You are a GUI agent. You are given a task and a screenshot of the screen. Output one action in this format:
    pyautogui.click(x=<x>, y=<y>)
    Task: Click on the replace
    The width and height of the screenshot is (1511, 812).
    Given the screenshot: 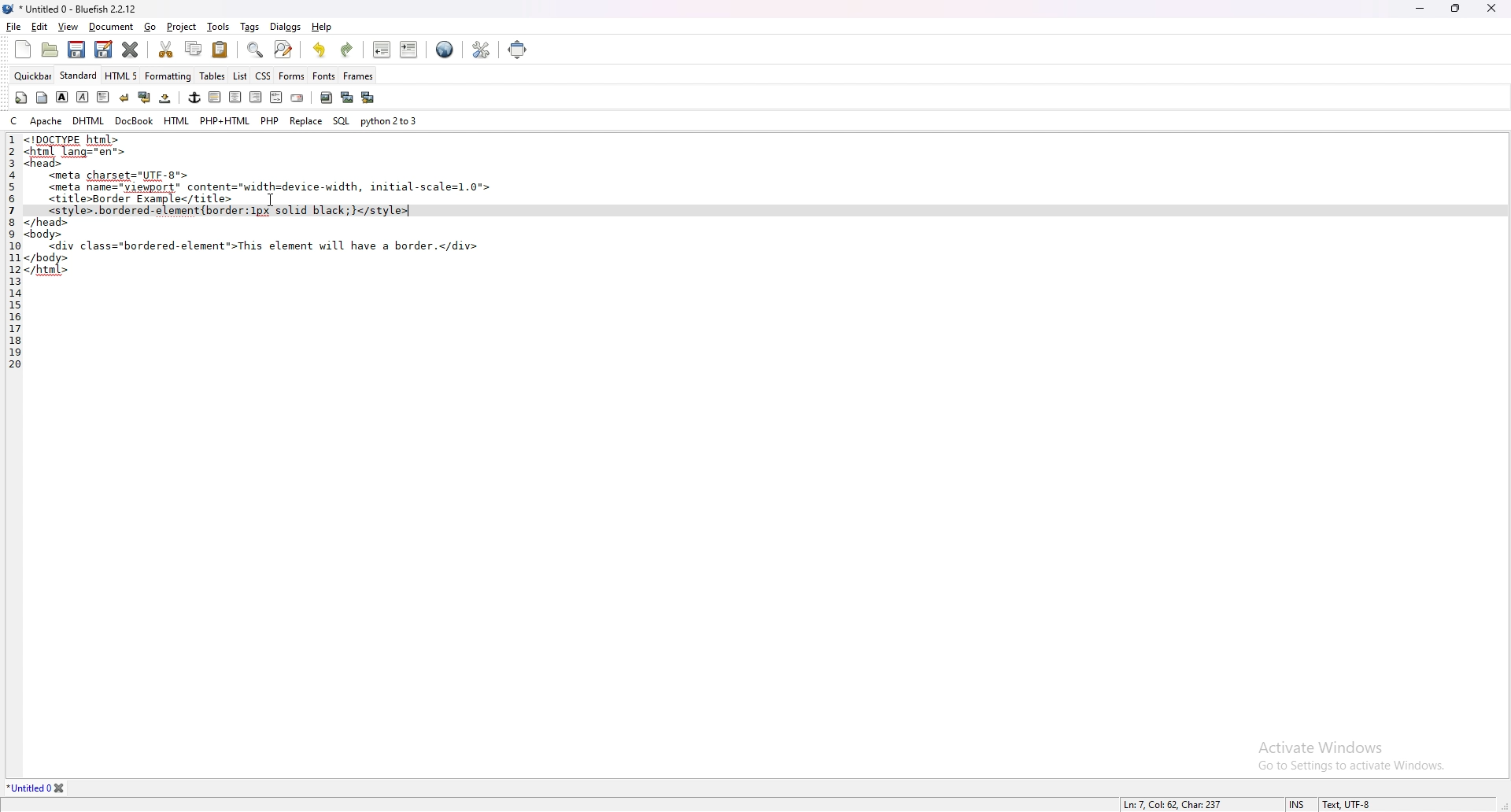 What is the action you would take?
    pyautogui.click(x=306, y=121)
    